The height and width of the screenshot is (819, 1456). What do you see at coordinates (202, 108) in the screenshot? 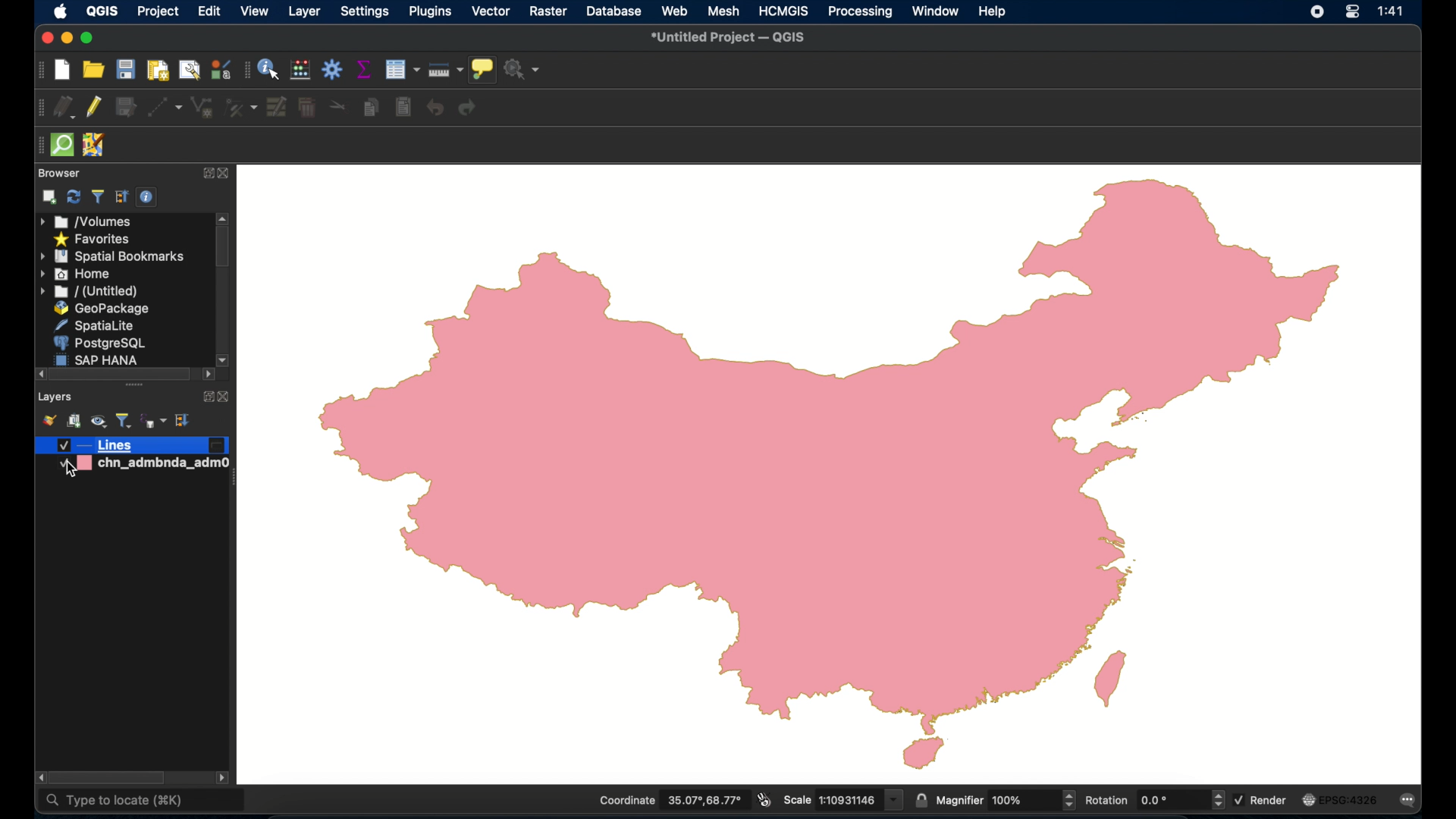
I see `add polygon` at bounding box center [202, 108].